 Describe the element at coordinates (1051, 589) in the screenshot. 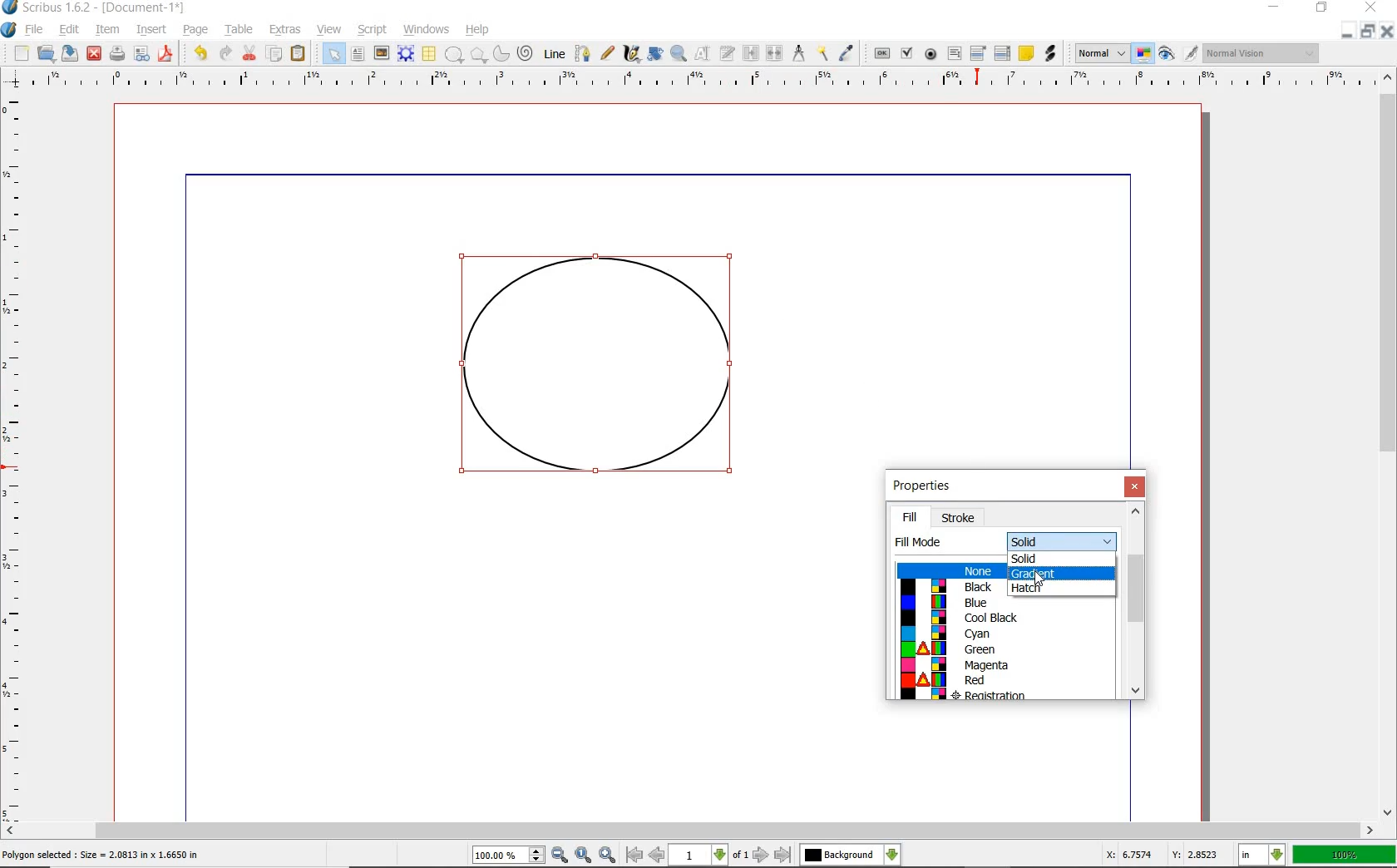

I see `hatch` at that location.